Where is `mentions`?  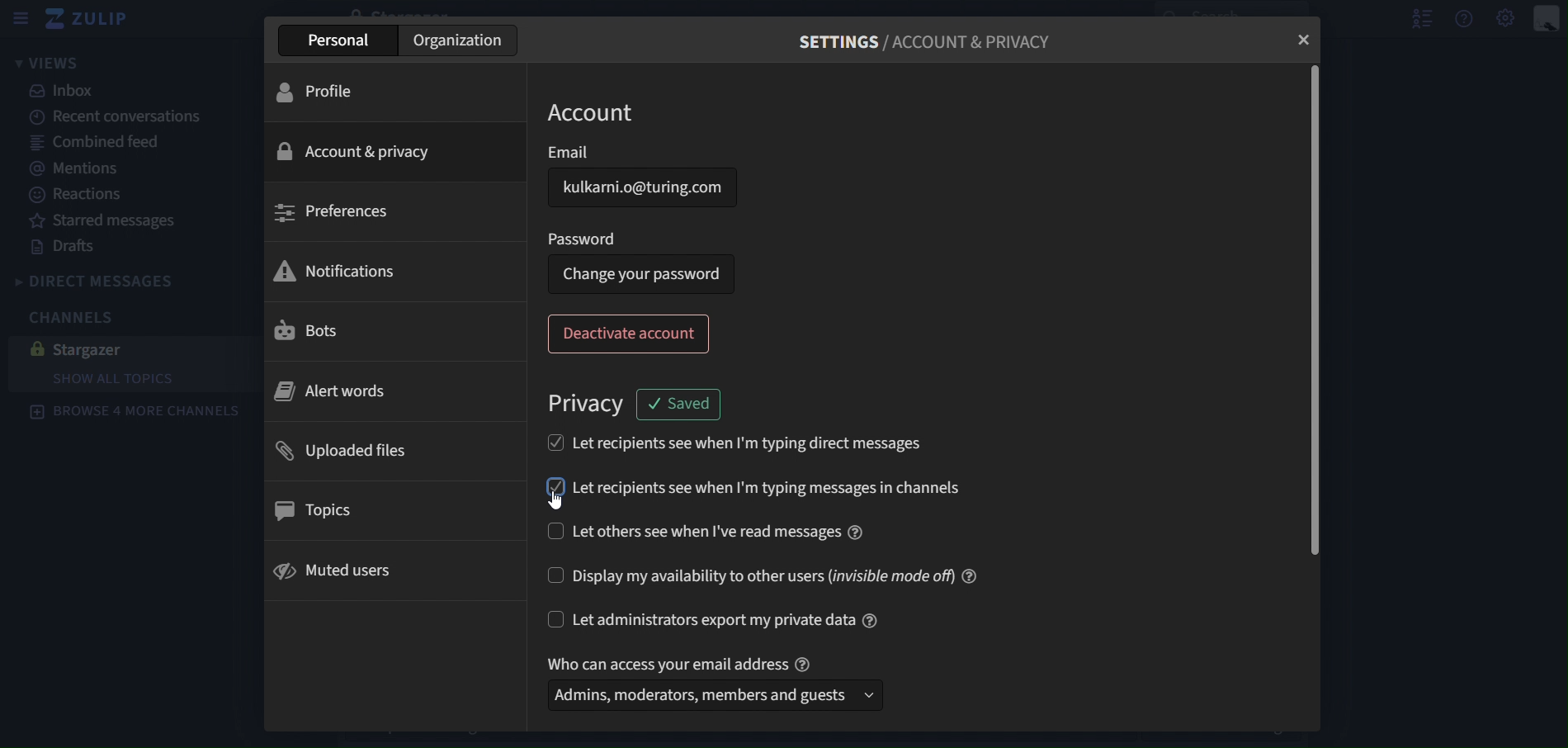 mentions is located at coordinates (83, 168).